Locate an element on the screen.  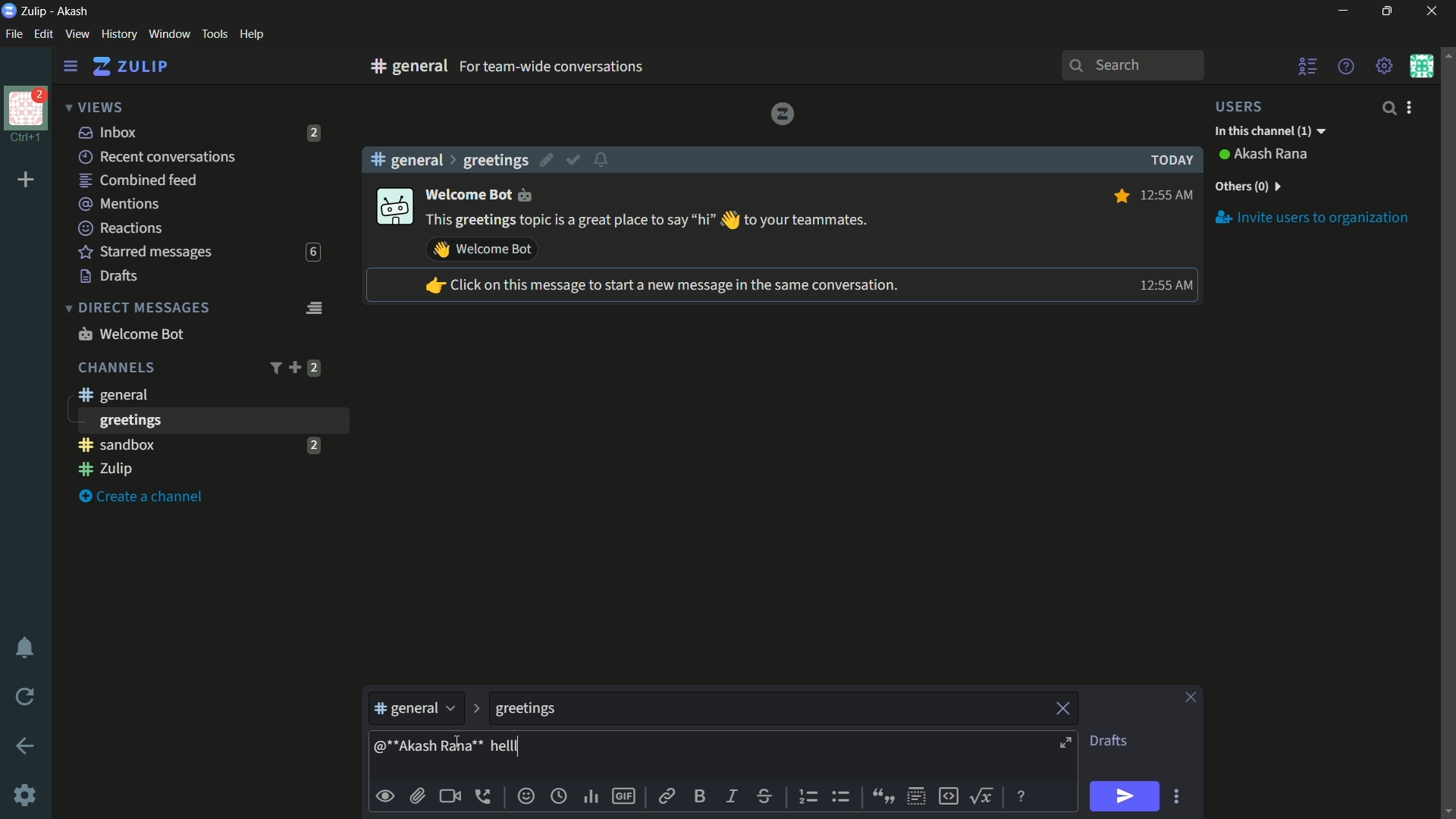
quote is located at coordinates (881, 795).